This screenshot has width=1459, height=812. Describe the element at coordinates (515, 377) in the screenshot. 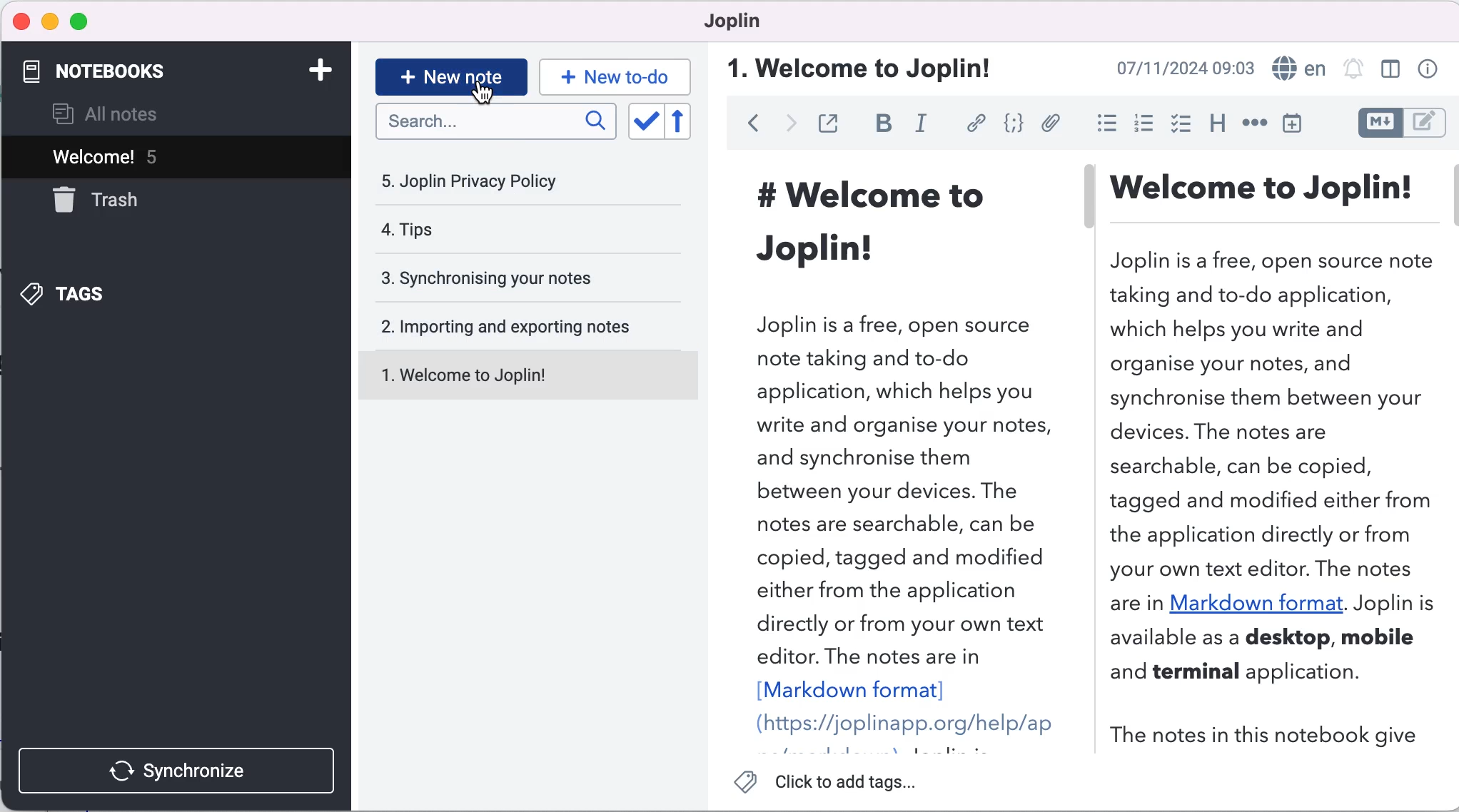

I see `welcome to joplin!` at that location.